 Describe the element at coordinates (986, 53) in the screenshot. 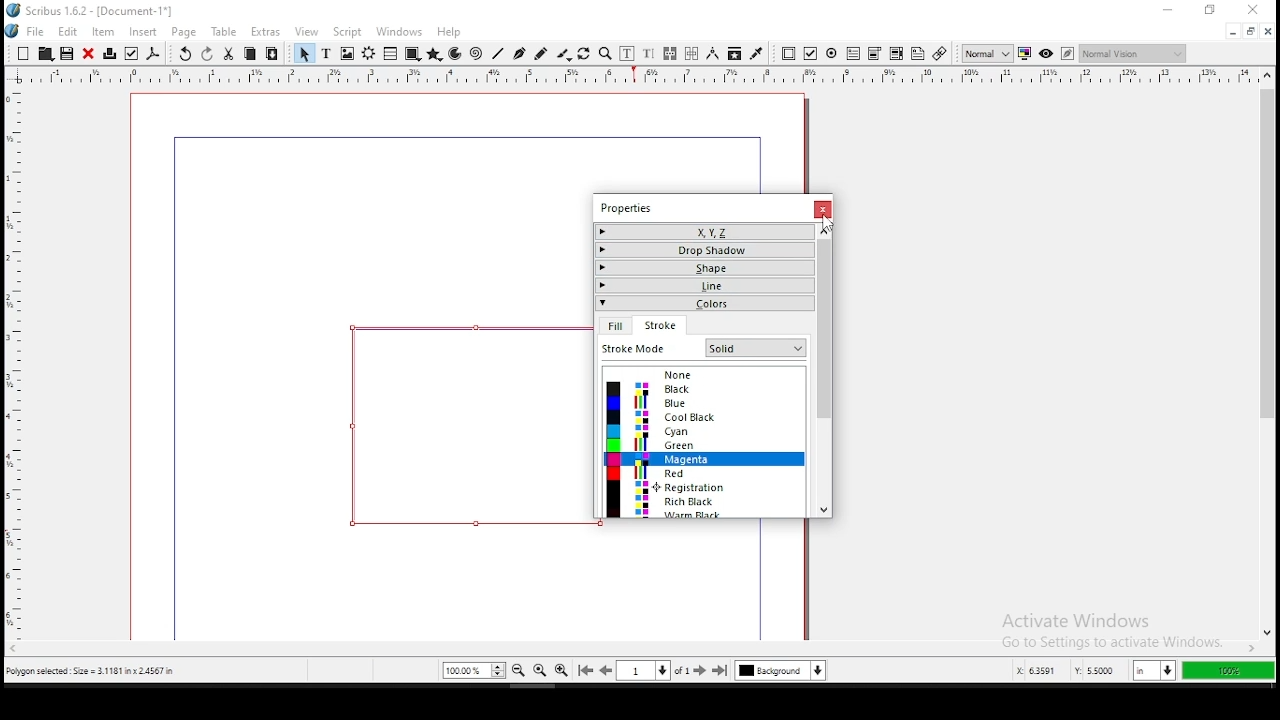

I see `toggle image preview quality` at that location.